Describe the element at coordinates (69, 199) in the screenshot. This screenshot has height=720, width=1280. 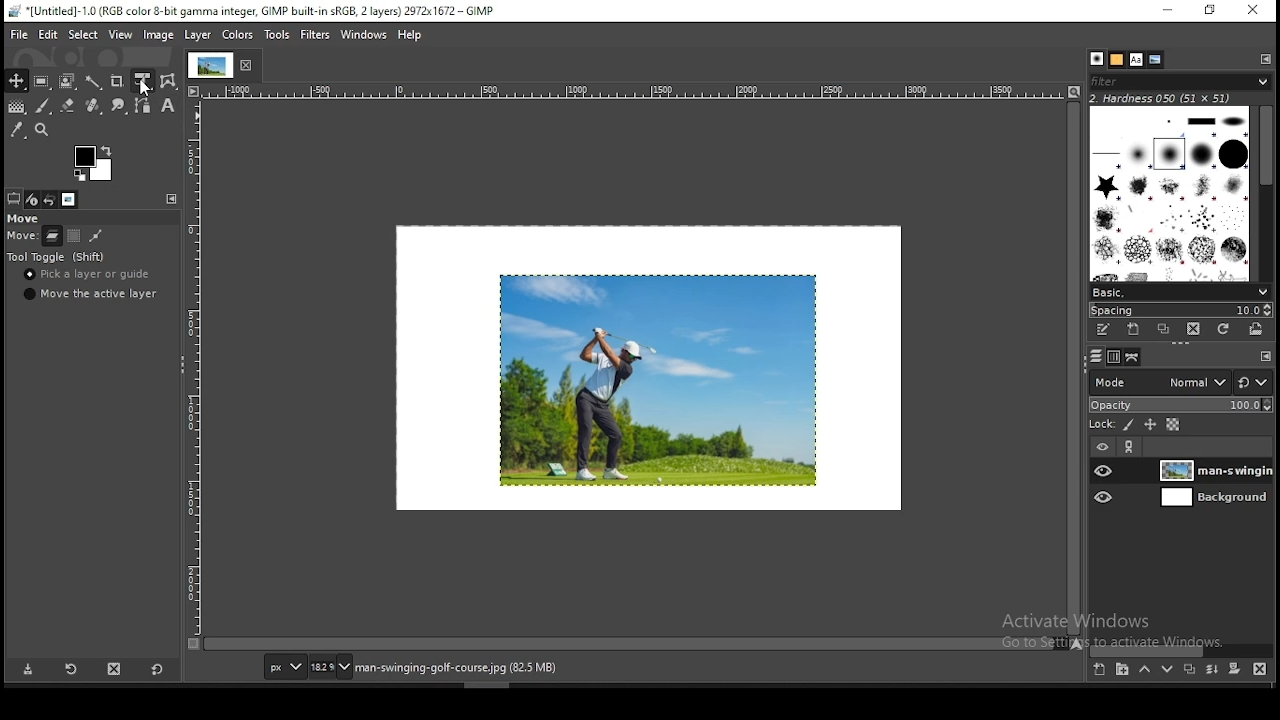
I see `images` at that location.